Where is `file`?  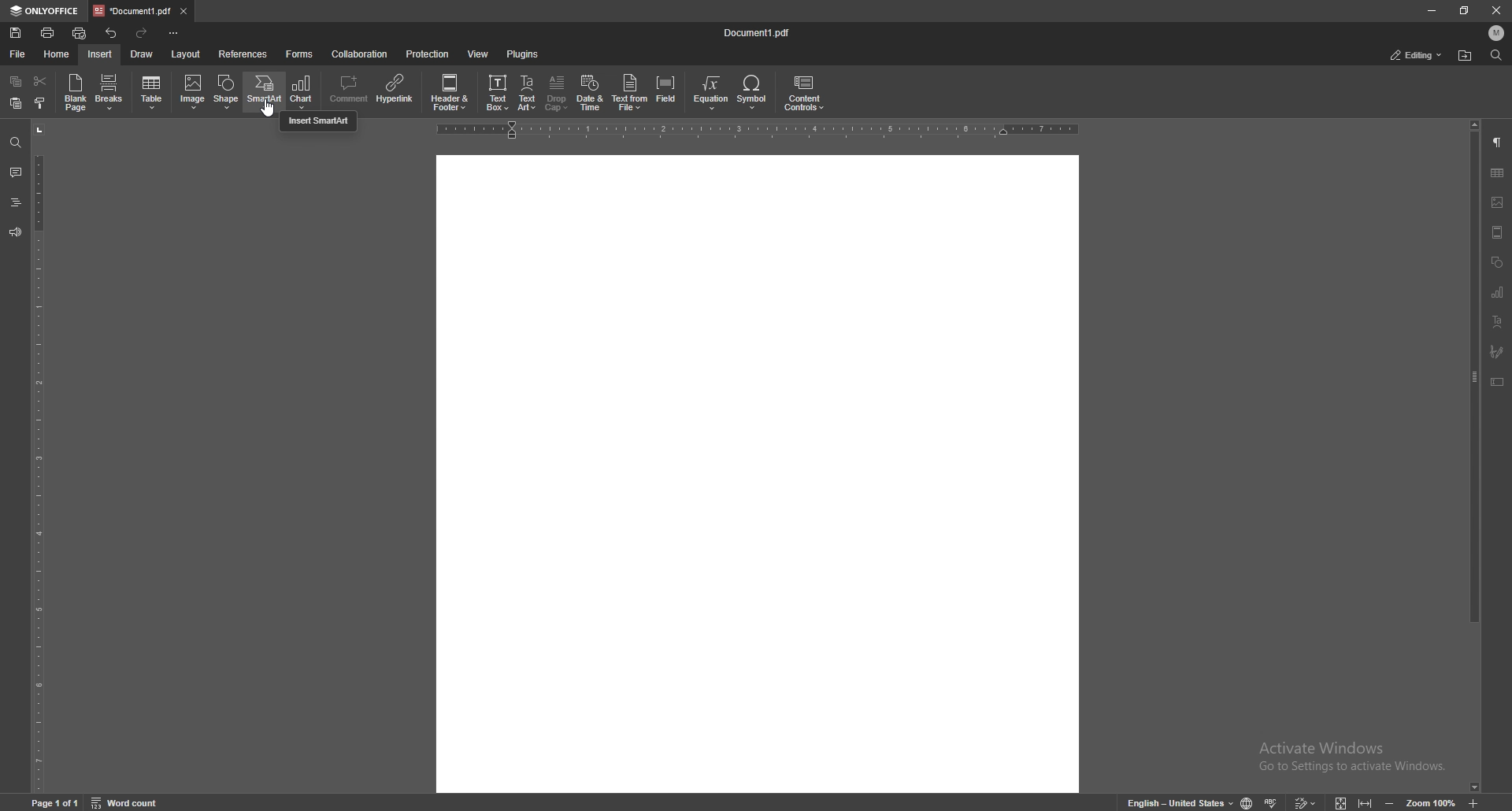 file is located at coordinates (20, 54).